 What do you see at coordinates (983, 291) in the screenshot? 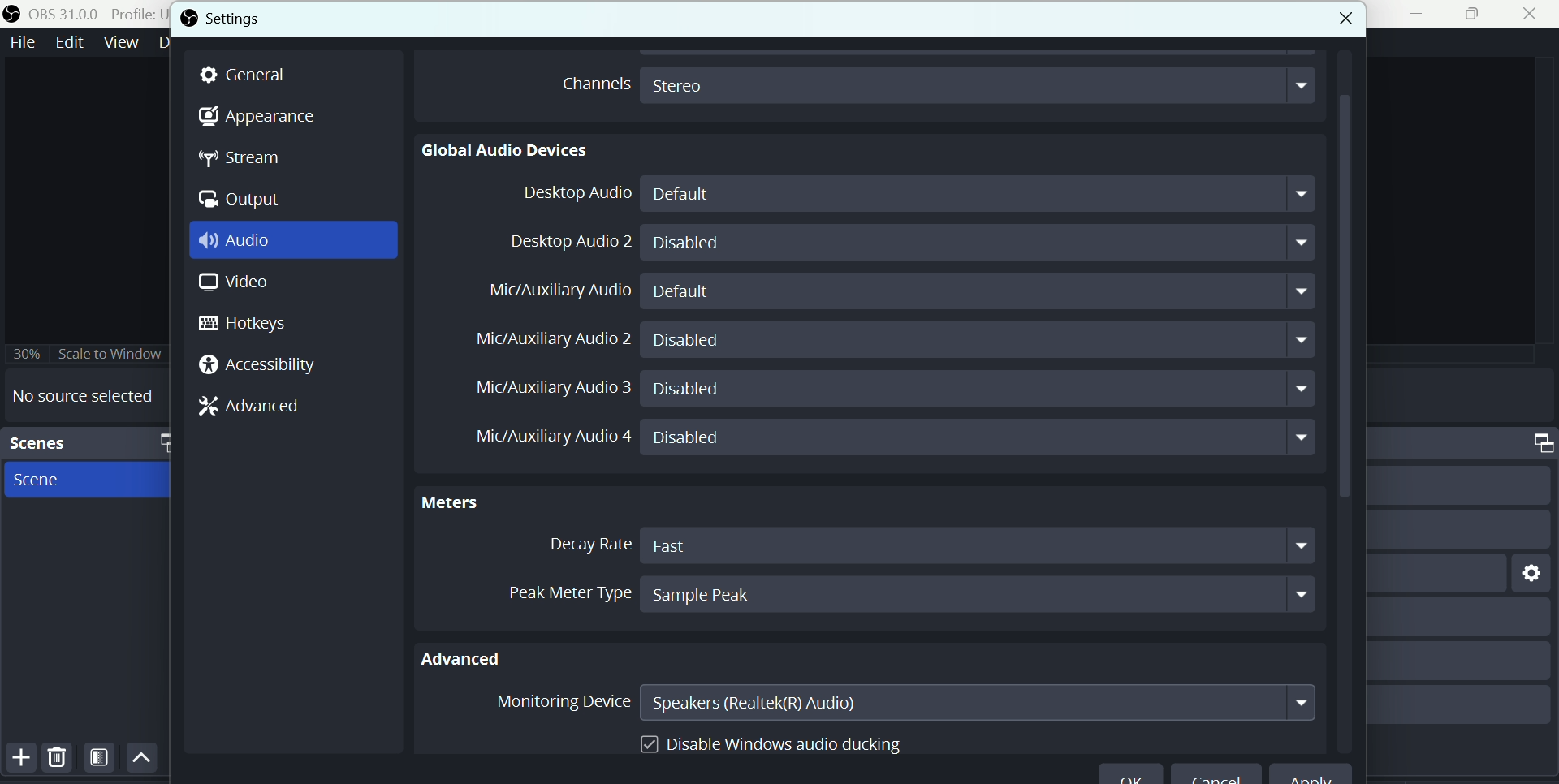
I see `Default` at bounding box center [983, 291].